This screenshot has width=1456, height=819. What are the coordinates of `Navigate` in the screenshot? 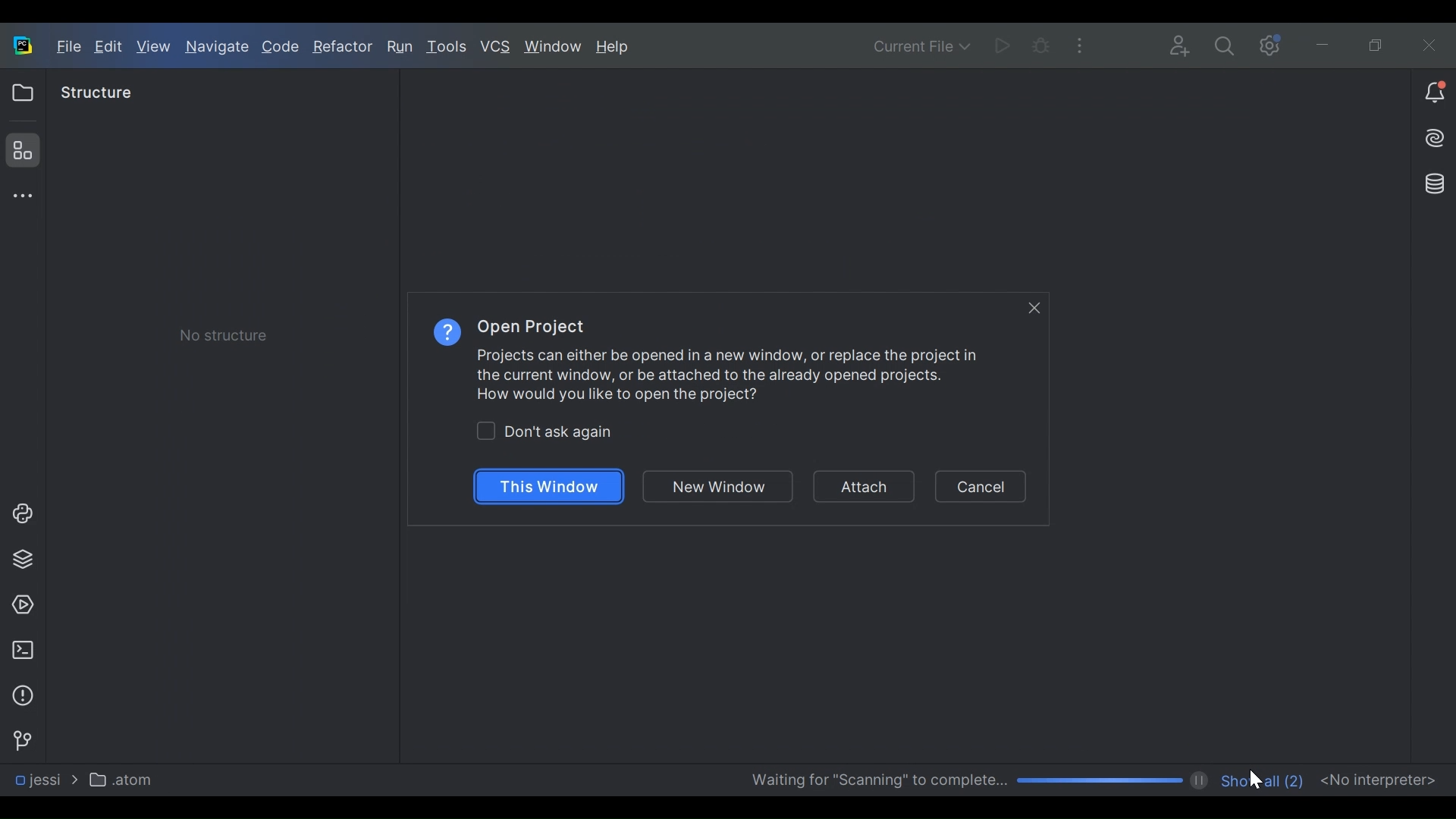 It's located at (217, 49).